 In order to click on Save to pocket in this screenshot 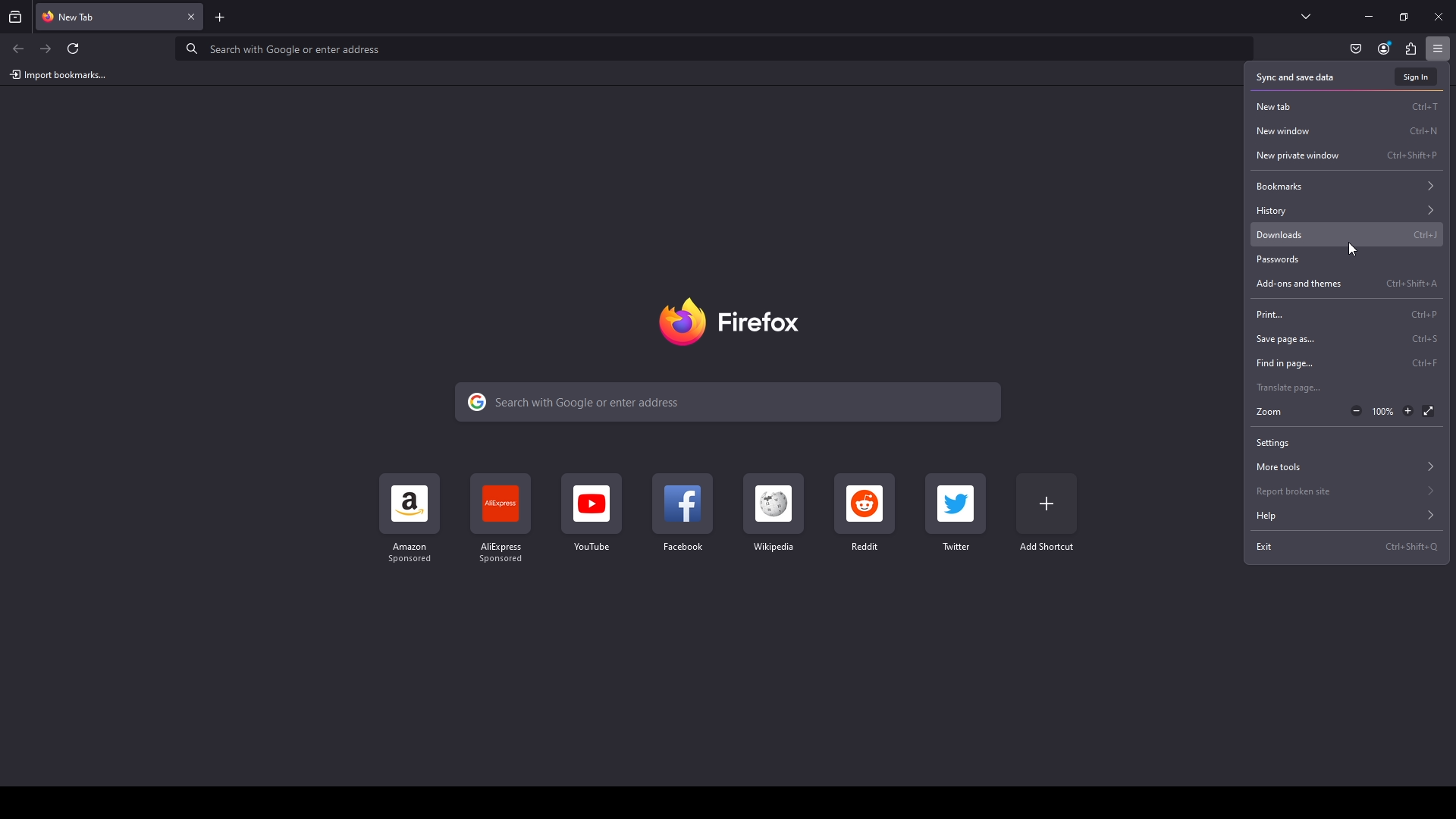, I will do `click(1354, 50)`.